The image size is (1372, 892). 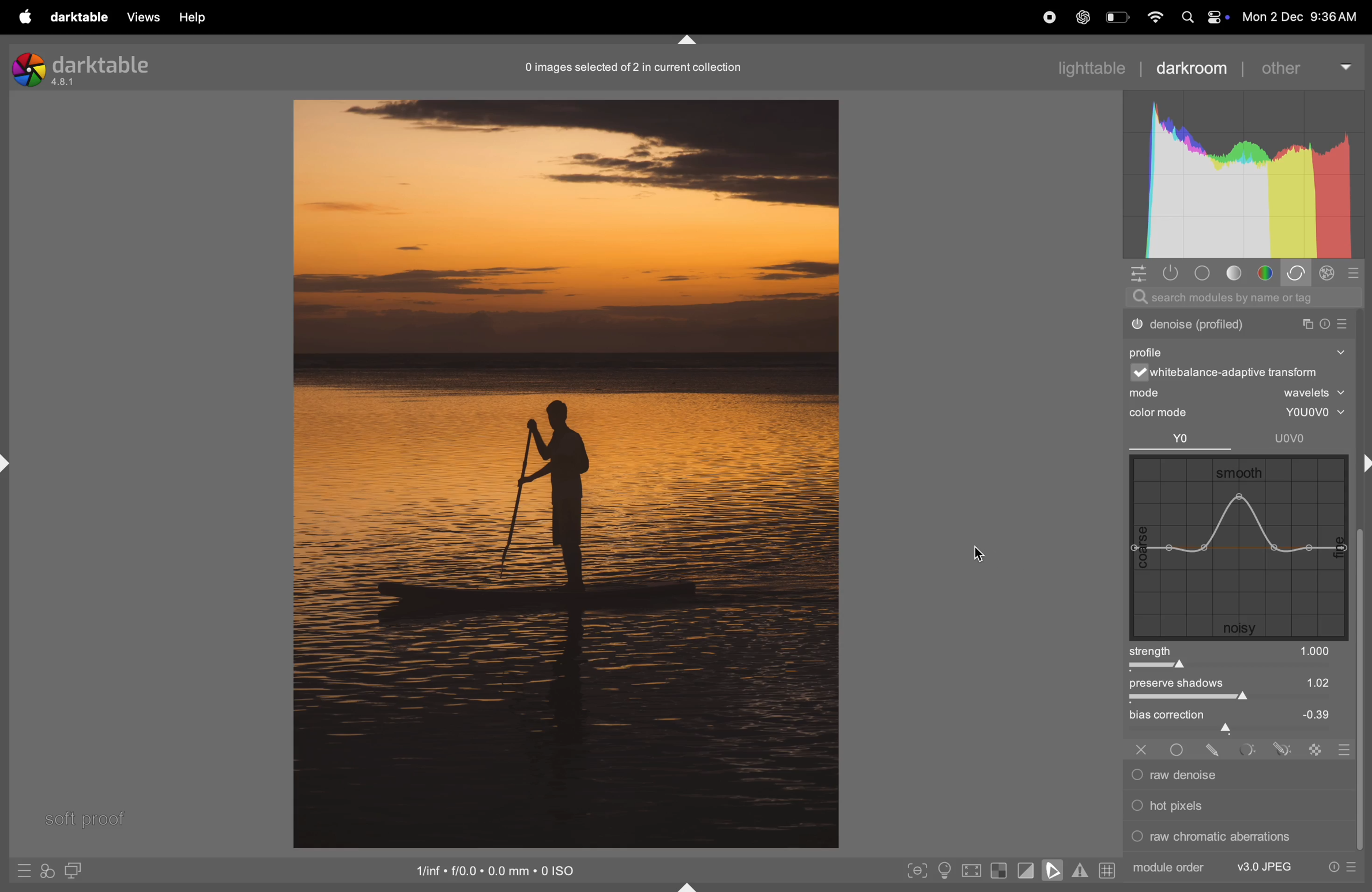 I want to click on toggle clipping indication, so click(x=1024, y=872).